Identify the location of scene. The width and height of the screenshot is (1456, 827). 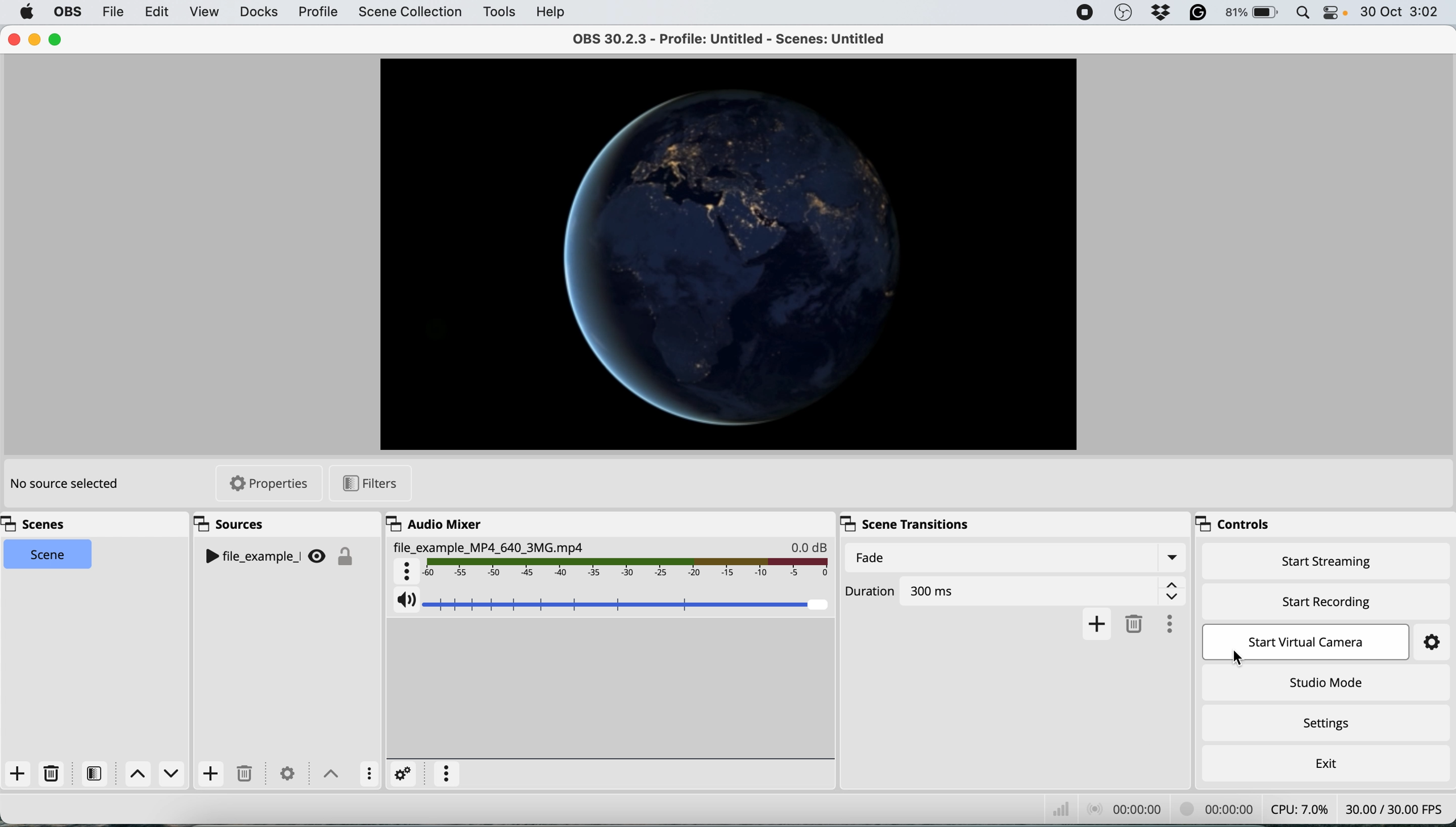
(49, 553).